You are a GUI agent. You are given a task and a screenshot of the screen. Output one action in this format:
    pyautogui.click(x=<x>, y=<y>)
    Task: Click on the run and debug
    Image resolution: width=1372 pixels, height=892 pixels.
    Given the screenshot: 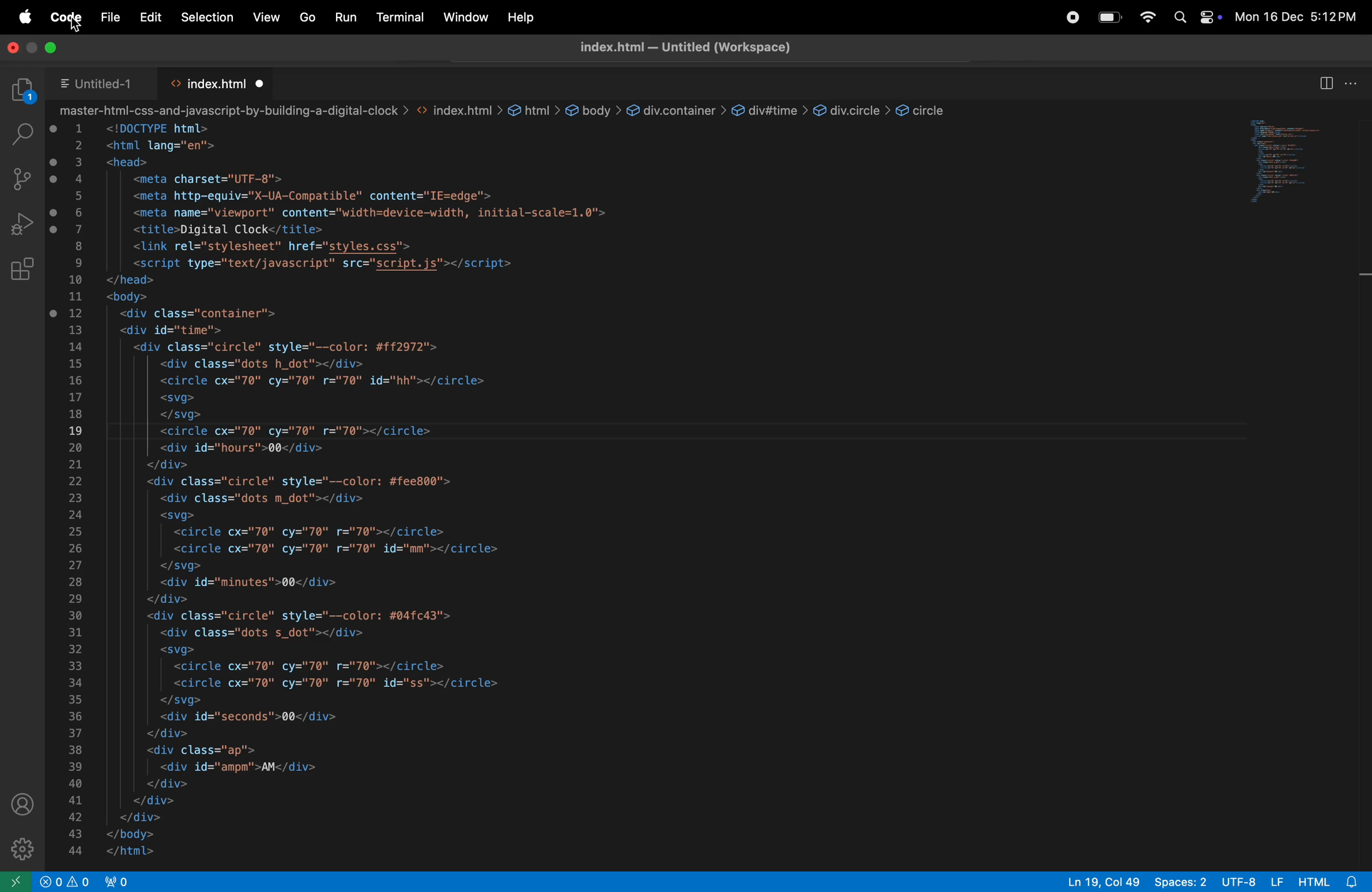 What is the action you would take?
    pyautogui.click(x=26, y=222)
    